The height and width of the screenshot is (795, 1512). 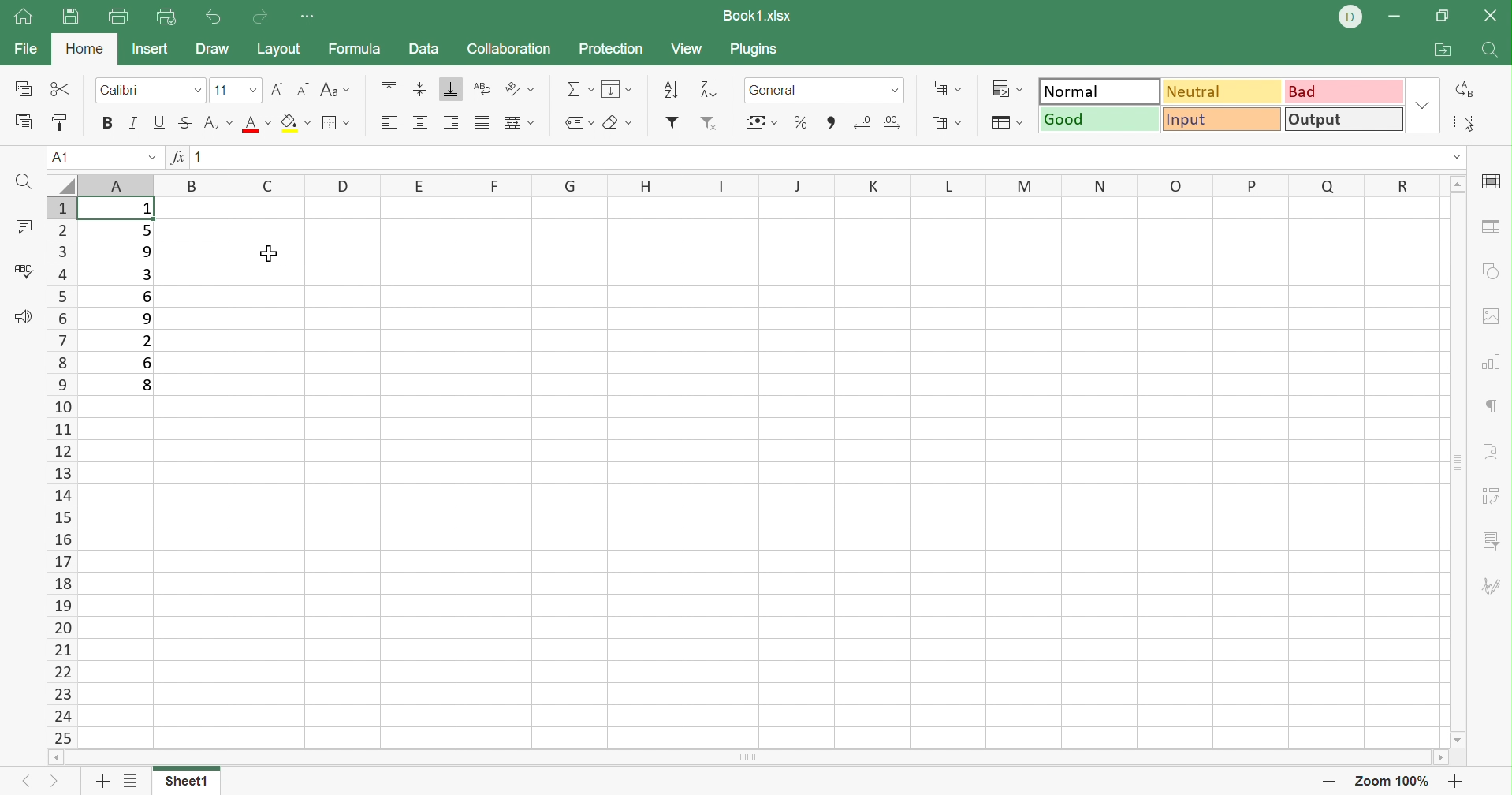 What do you see at coordinates (147, 386) in the screenshot?
I see `8` at bounding box center [147, 386].